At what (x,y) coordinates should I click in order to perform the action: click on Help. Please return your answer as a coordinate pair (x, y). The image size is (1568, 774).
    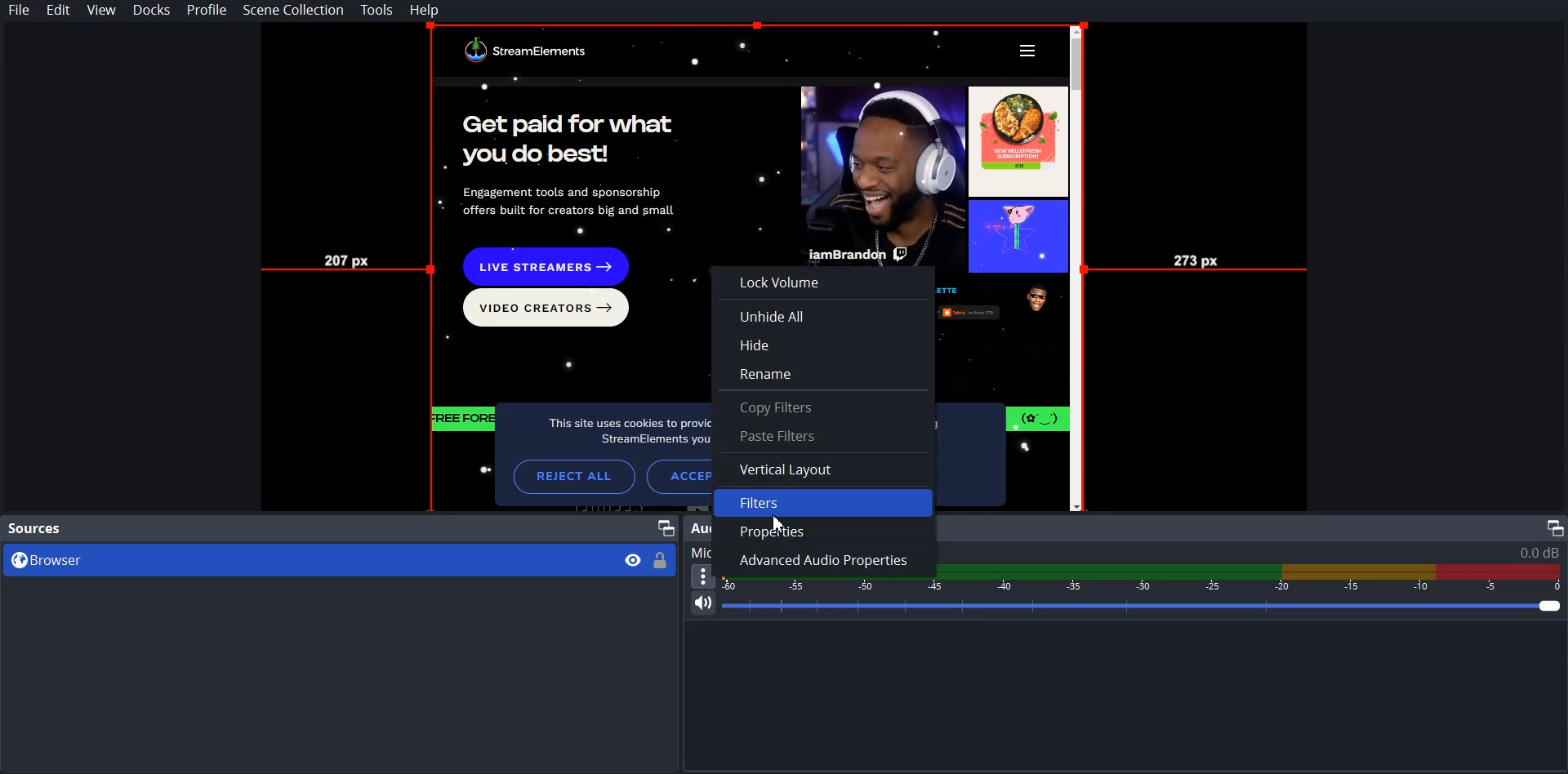
    Looking at the image, I should click on (425, 11).